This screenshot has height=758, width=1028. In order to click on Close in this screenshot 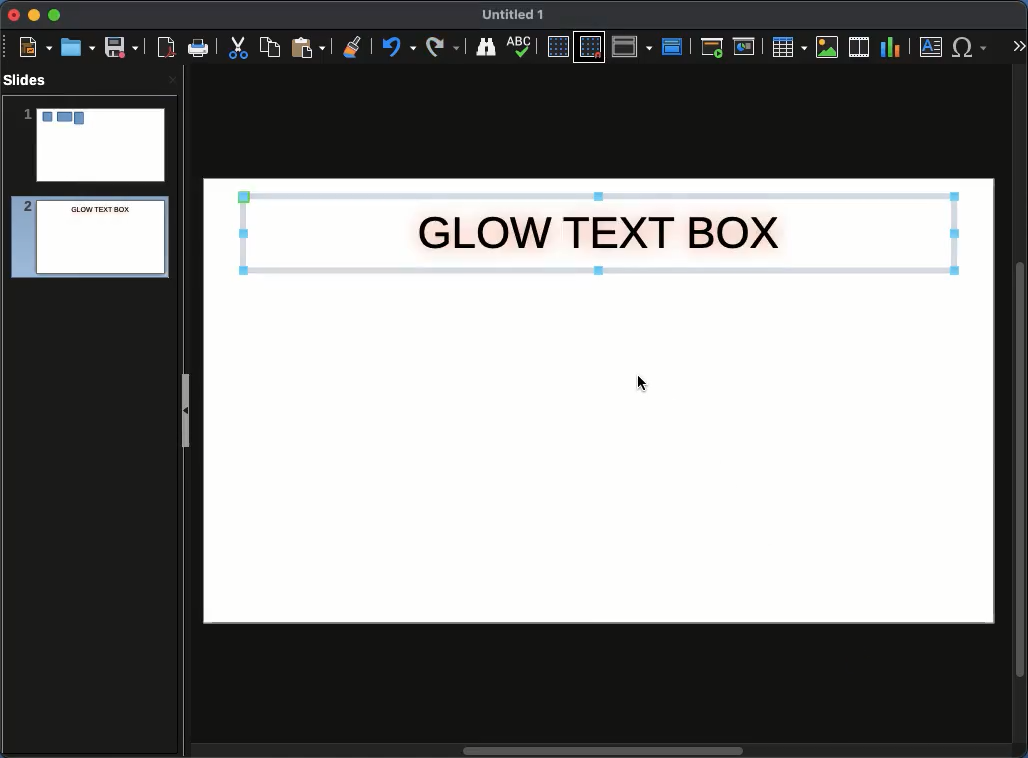, I will do `click(172, 79)`.